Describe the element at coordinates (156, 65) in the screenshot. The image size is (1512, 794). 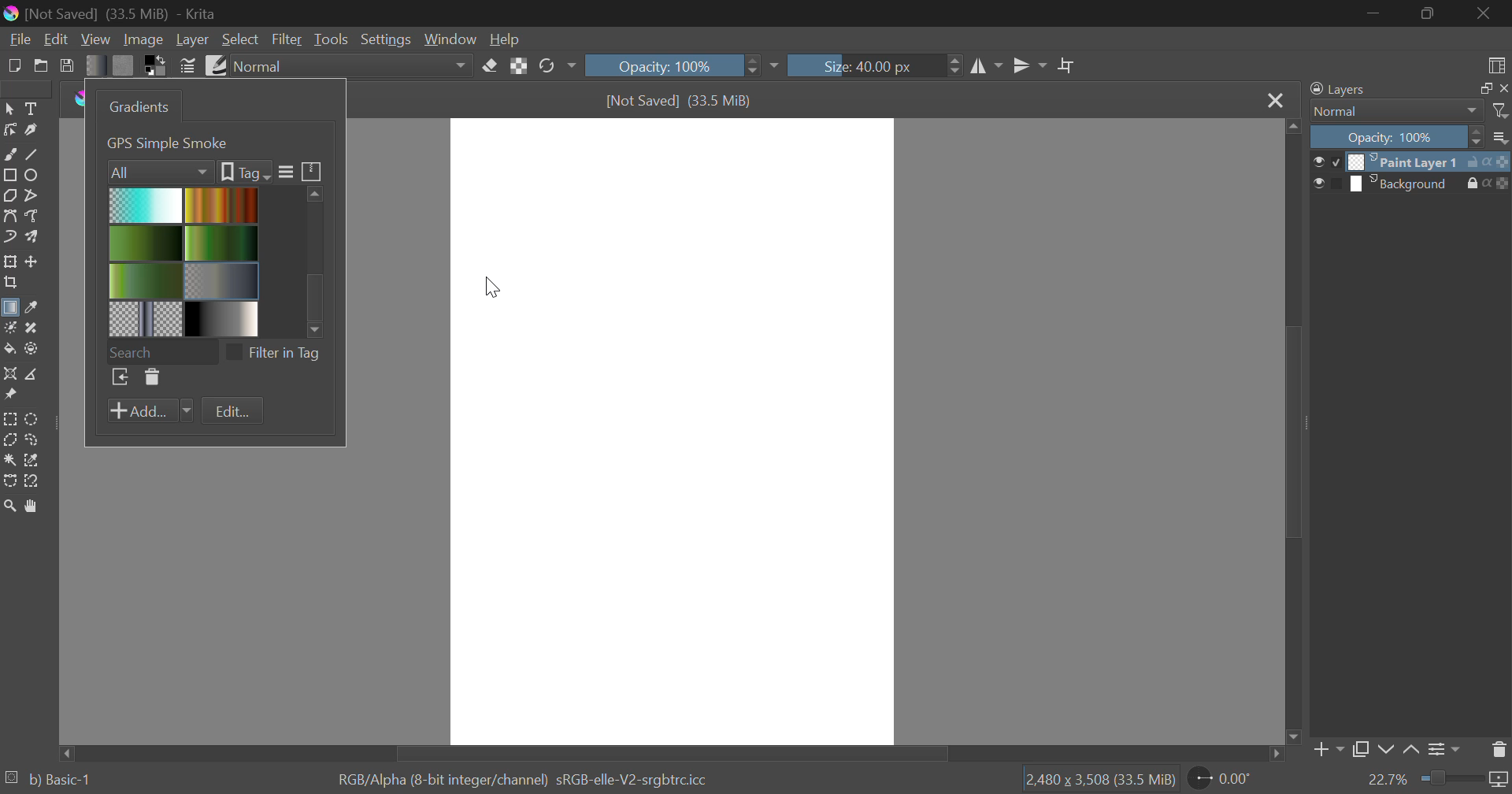
I see `Colors in use` at that location.